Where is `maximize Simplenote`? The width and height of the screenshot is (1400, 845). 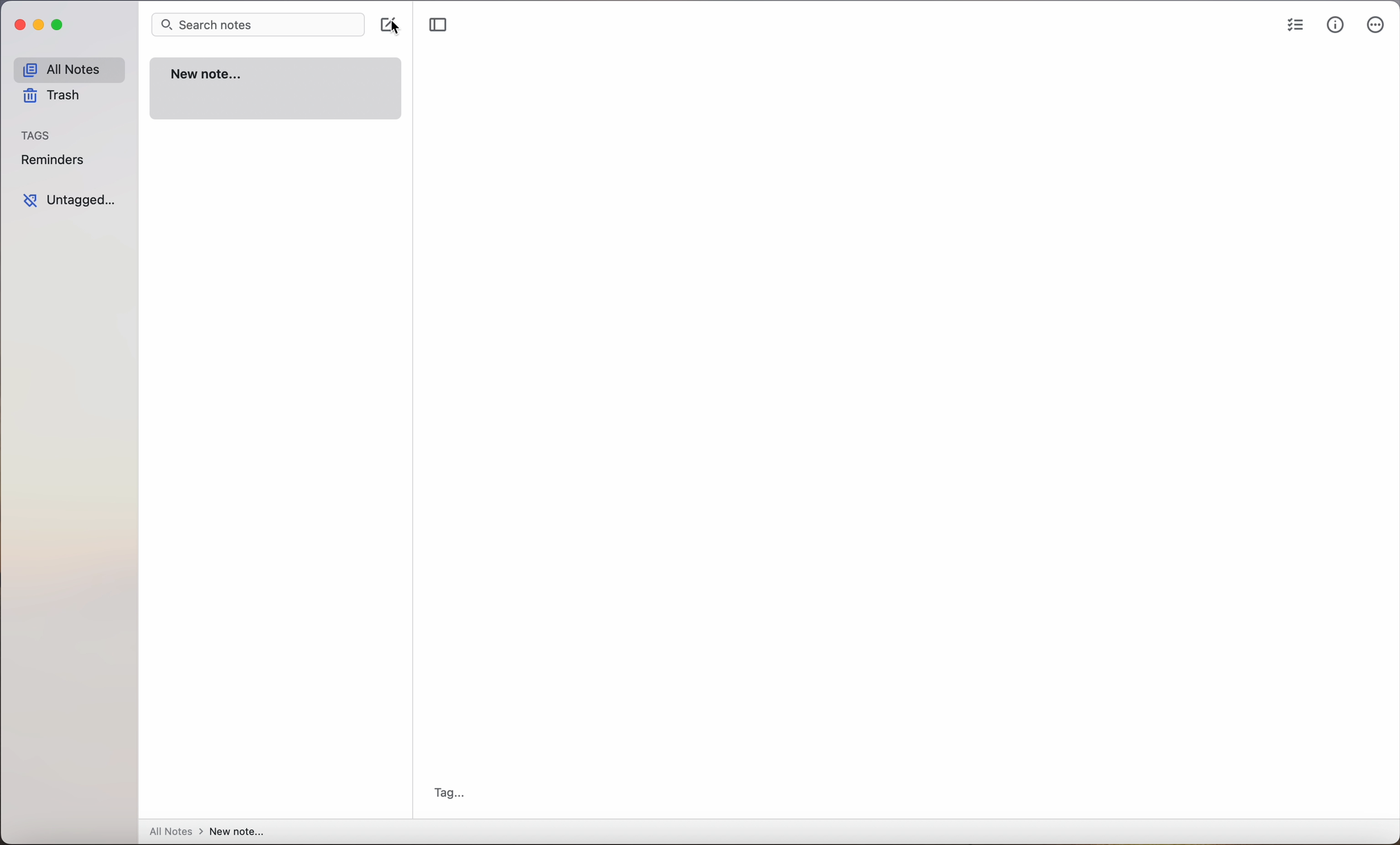 maximize Simplenote is located at coordinates (60, 26).